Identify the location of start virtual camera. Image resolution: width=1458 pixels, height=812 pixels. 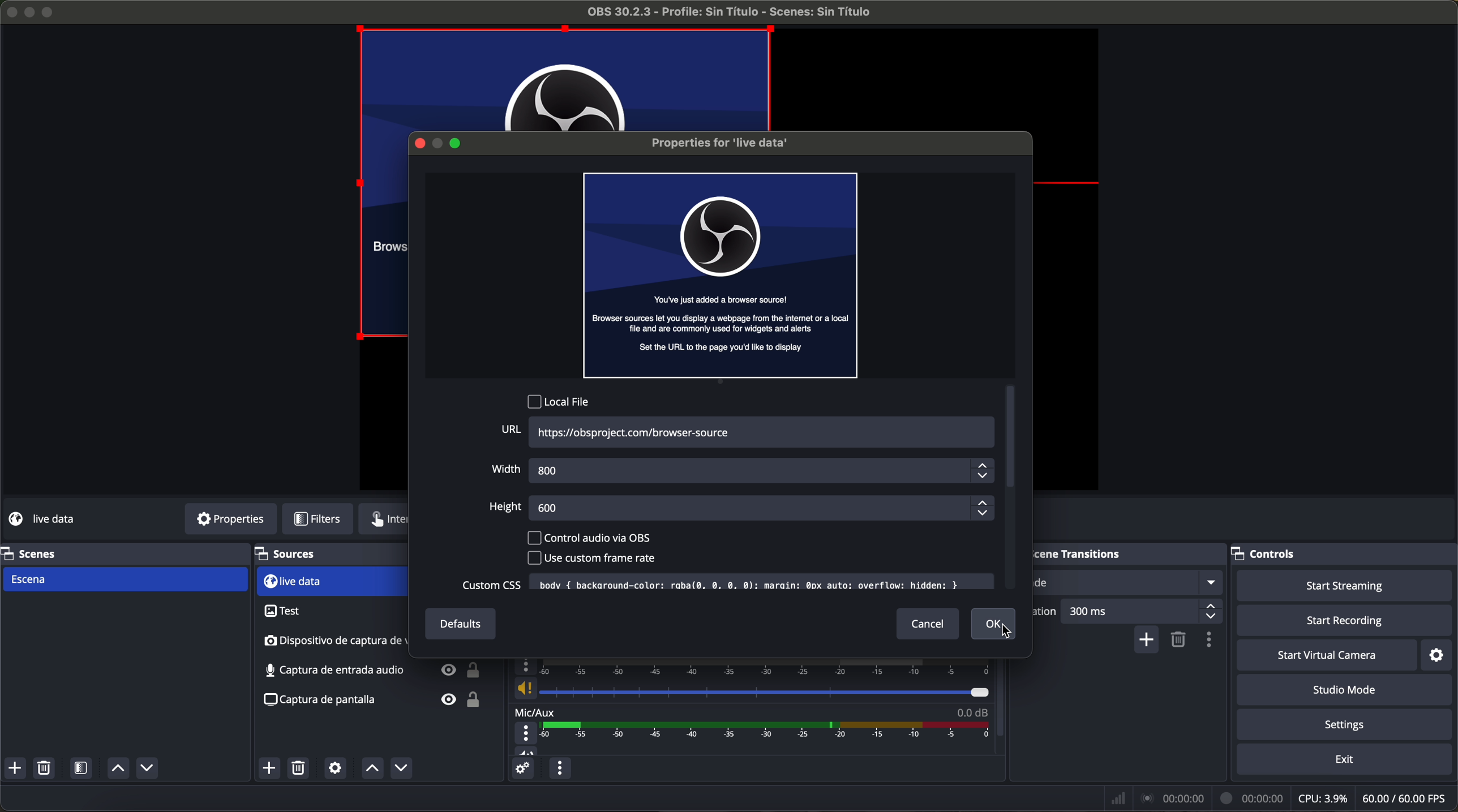
(1328, 656).